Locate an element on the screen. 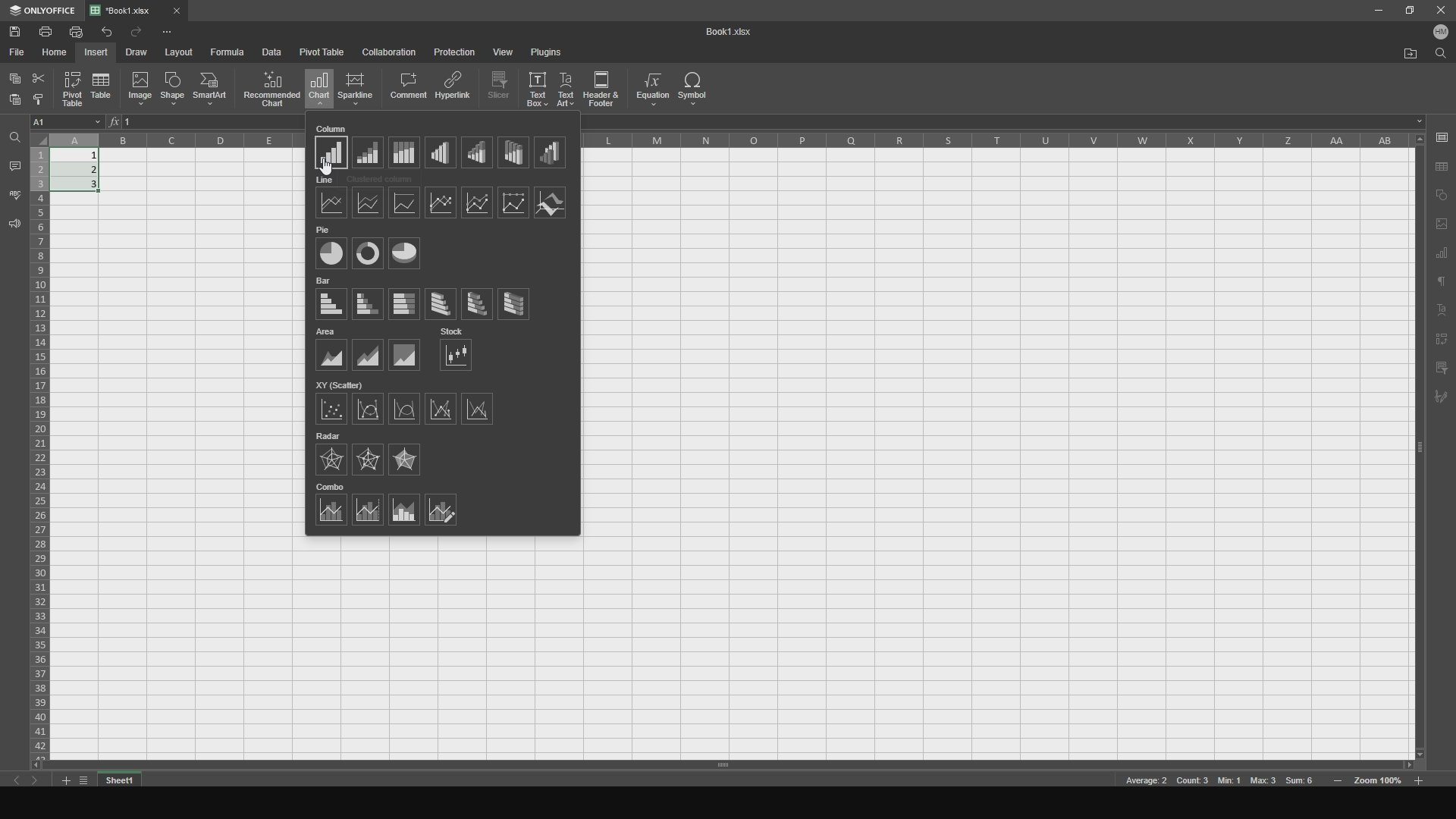 The width and height of the screenshot is (1456, 819). symbol is located at coordinates (696, 88).